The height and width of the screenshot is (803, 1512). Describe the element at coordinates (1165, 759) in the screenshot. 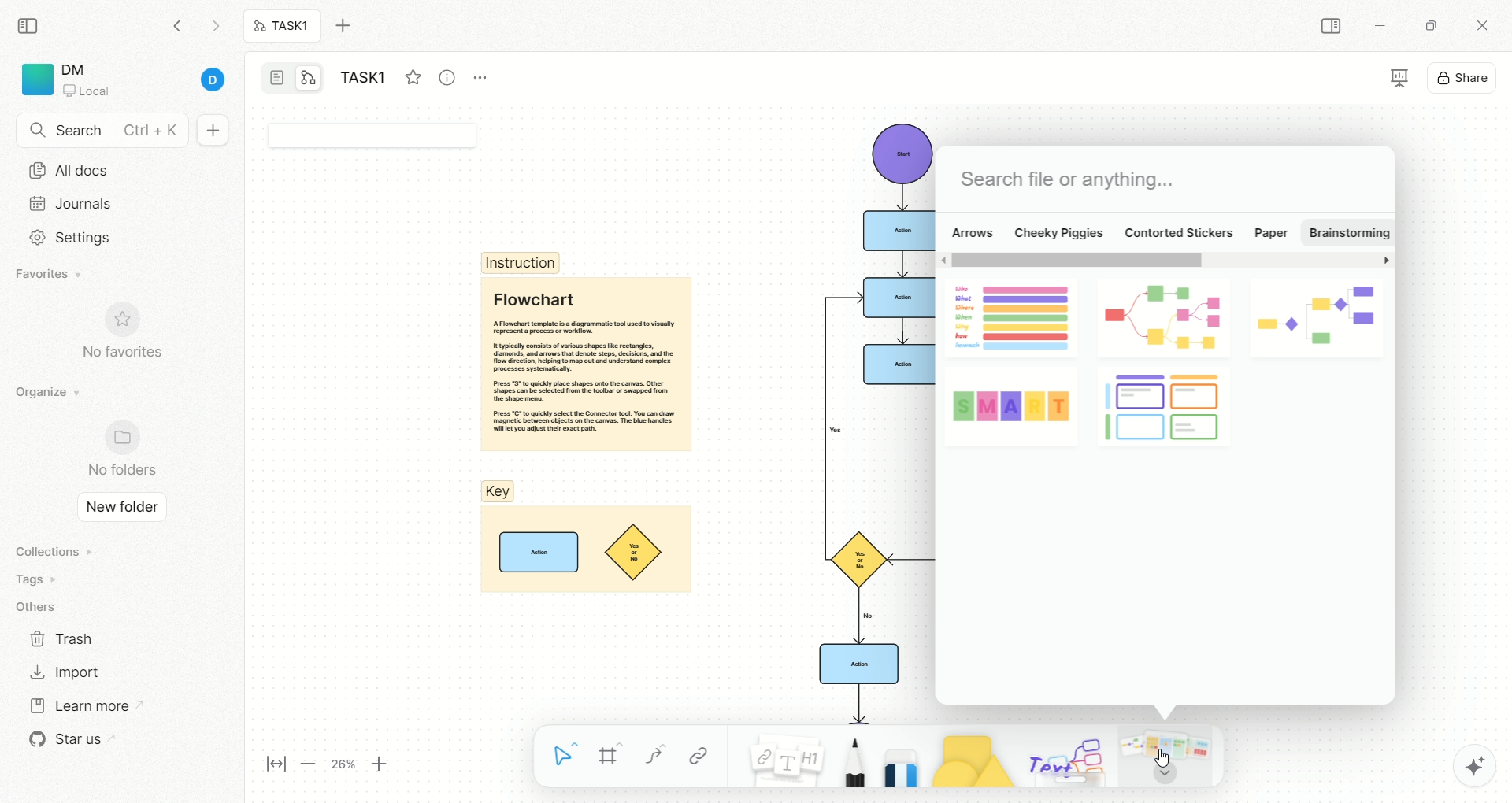

I see `cursor` at that location.